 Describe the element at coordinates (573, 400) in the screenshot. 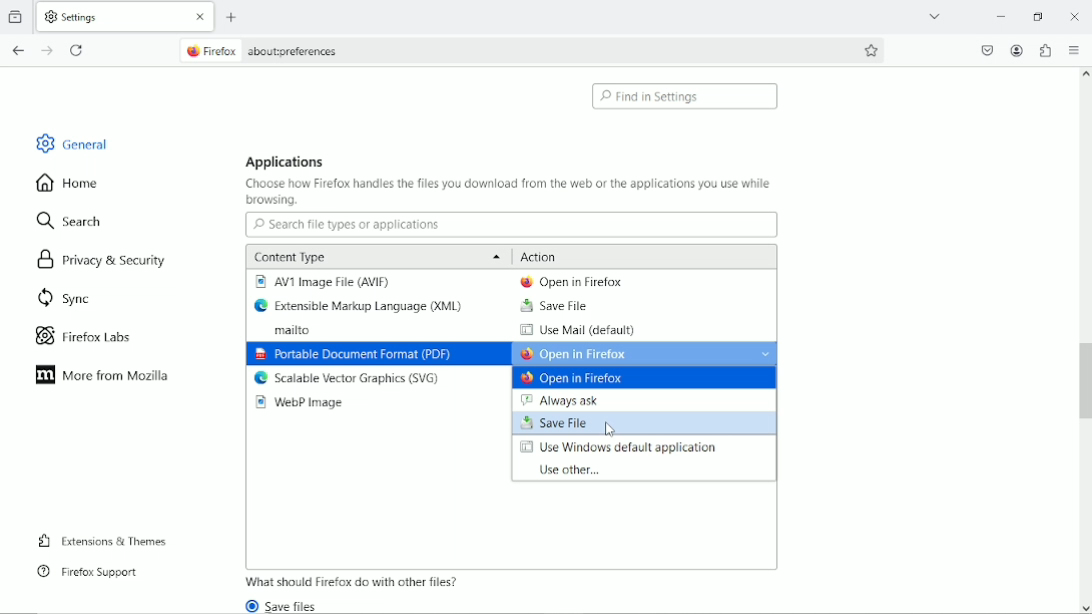

I see `Always ask` at that location.